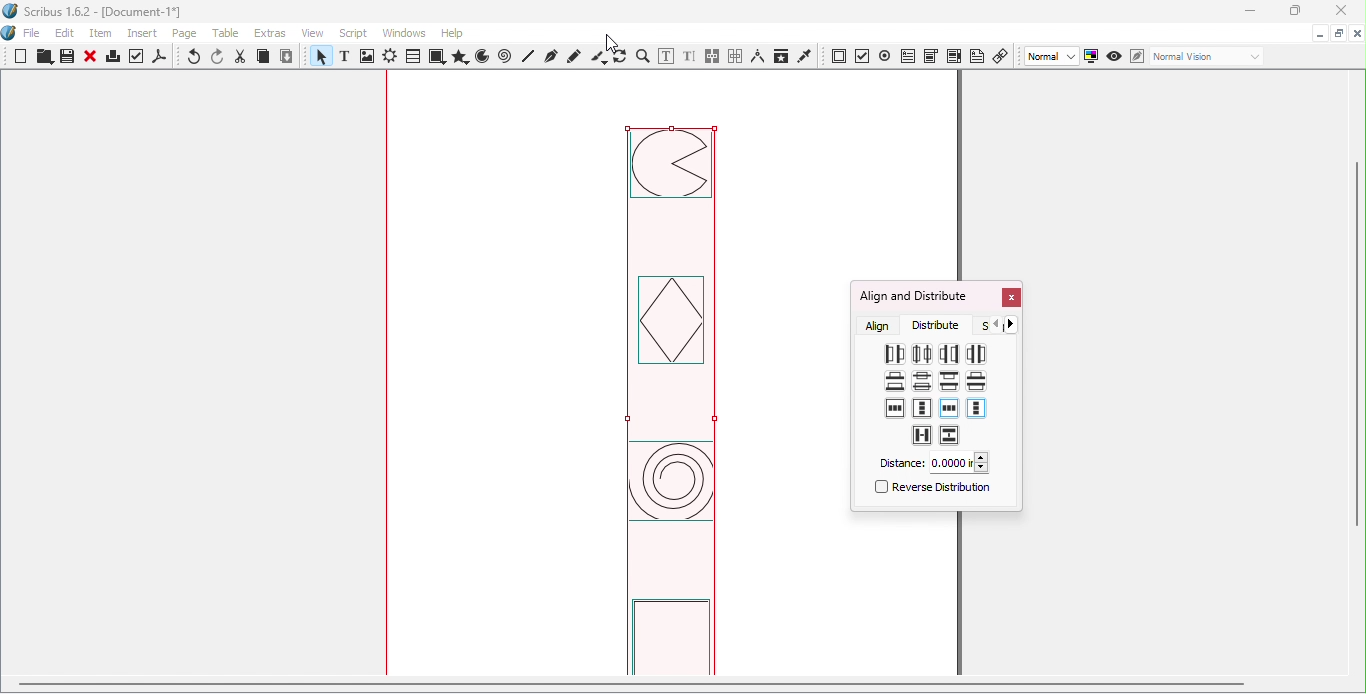  I want to click on Distribute tops equidistantly, so click(949, 380).